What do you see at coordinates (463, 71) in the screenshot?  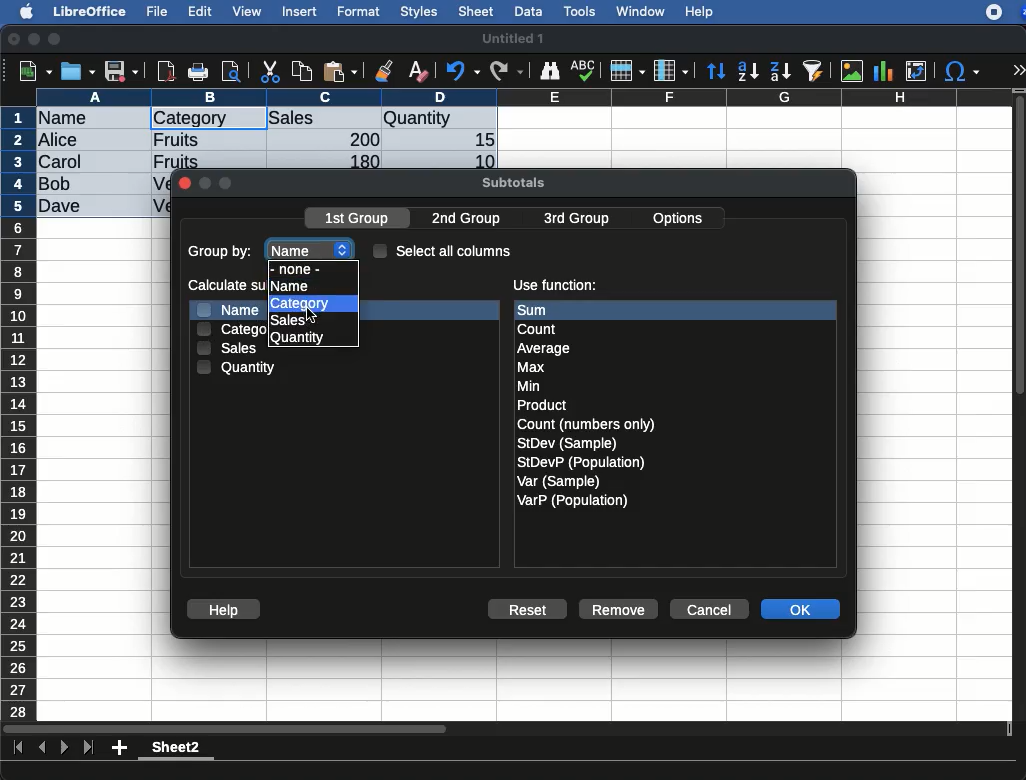 I see `undo` at bounding box center [463, 71].